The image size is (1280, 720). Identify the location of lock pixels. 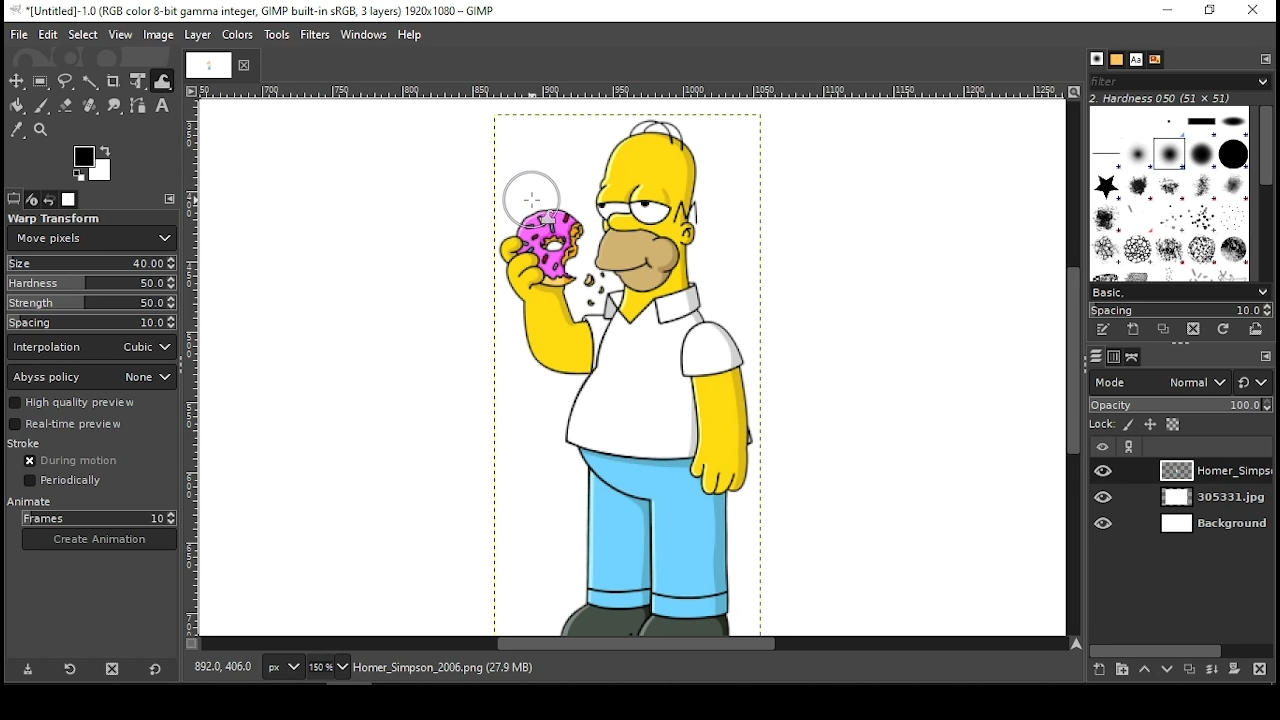
(1129, 425).